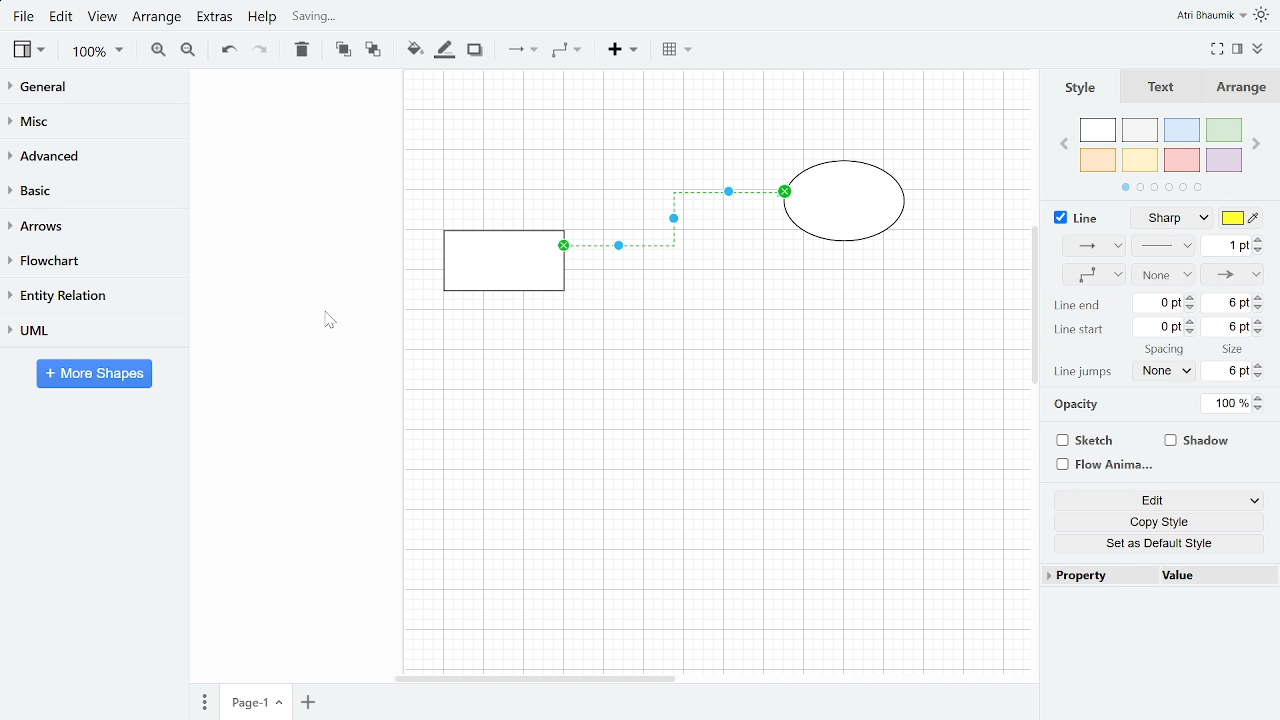 This screenshot has width=1280, height=720. I want to click on Increase line start spacing, so click(1191, 321).